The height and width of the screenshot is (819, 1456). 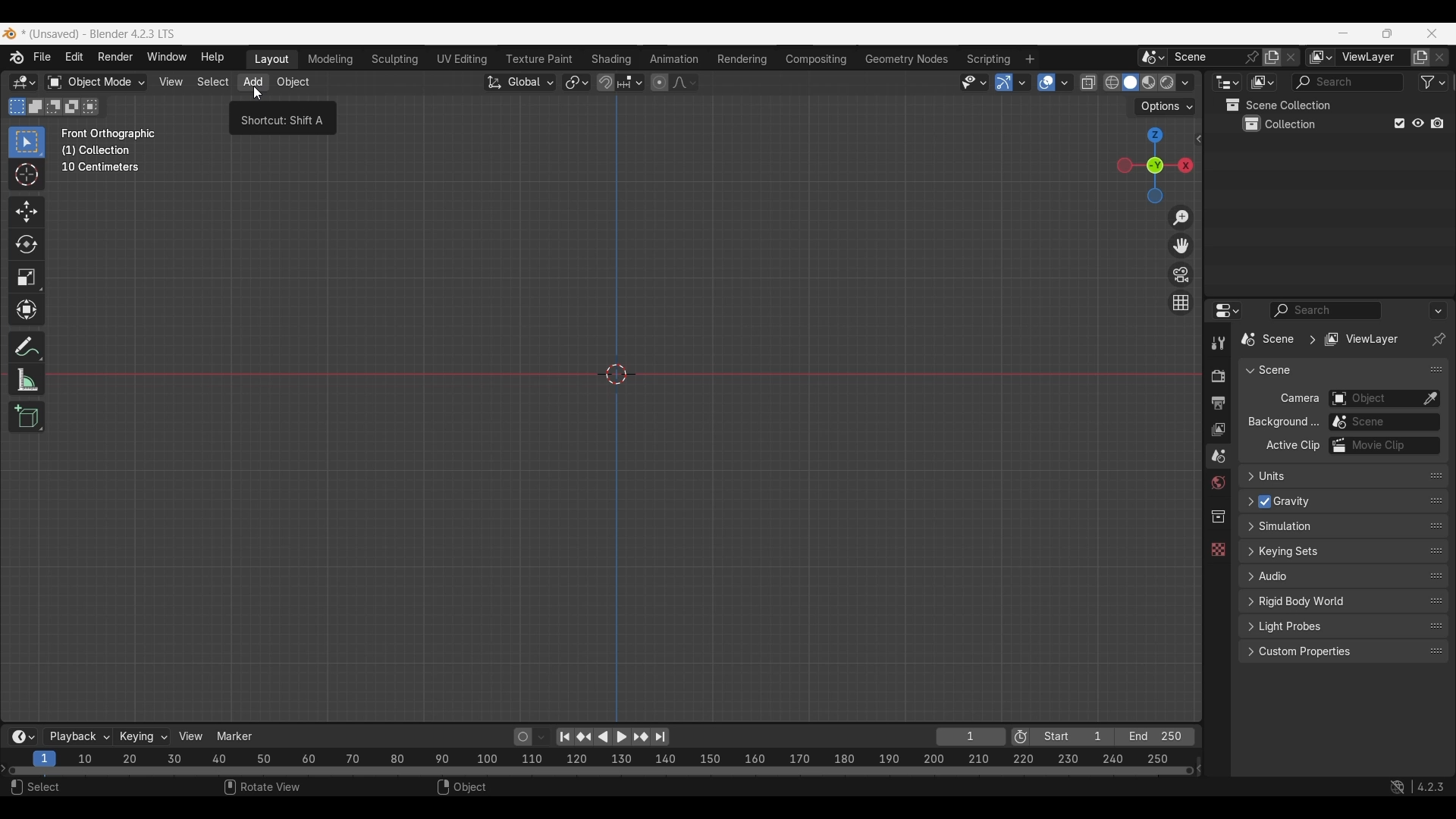 I want to click on Change order in the list, so click(x=1436, y=551).